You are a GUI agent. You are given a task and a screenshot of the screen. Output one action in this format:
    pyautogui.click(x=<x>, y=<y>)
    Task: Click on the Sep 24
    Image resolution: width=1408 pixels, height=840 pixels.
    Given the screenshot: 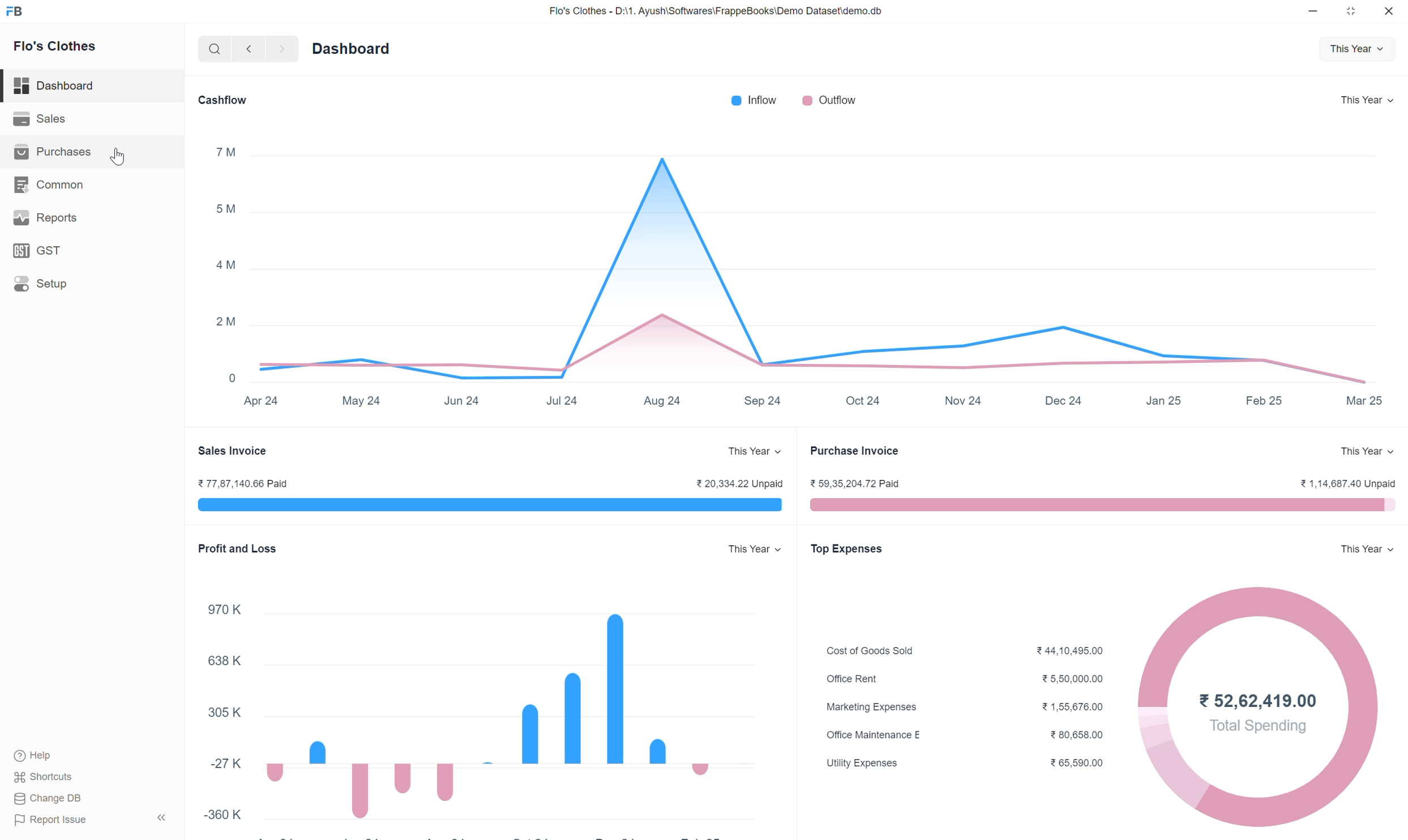 What is the action you would take?
    pyautogui.click(x=762, y=401)
    